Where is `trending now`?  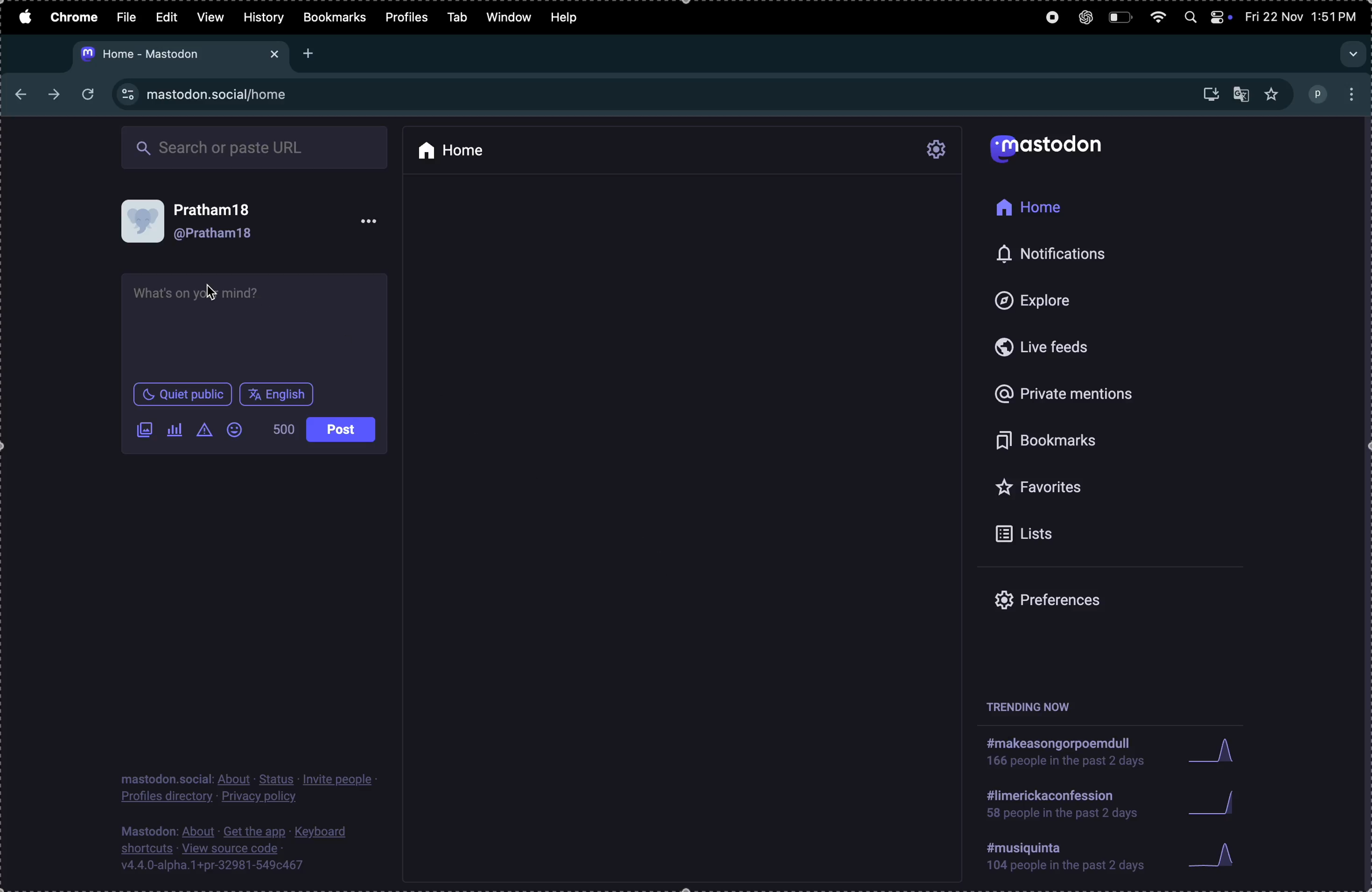
trending now is located at coordinates (1030, 705).